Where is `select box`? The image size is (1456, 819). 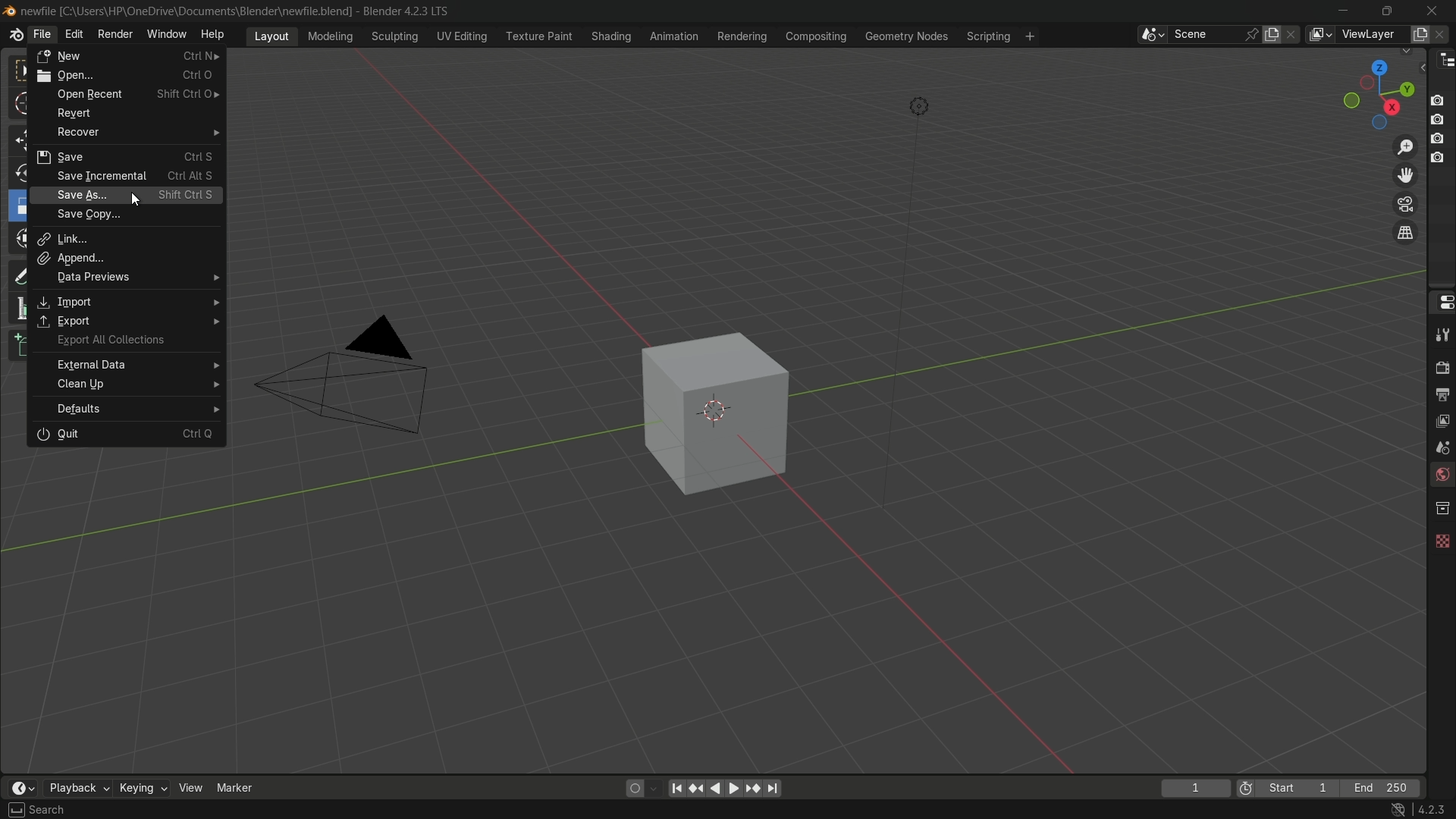
select box is located at coordinates (16, 71).